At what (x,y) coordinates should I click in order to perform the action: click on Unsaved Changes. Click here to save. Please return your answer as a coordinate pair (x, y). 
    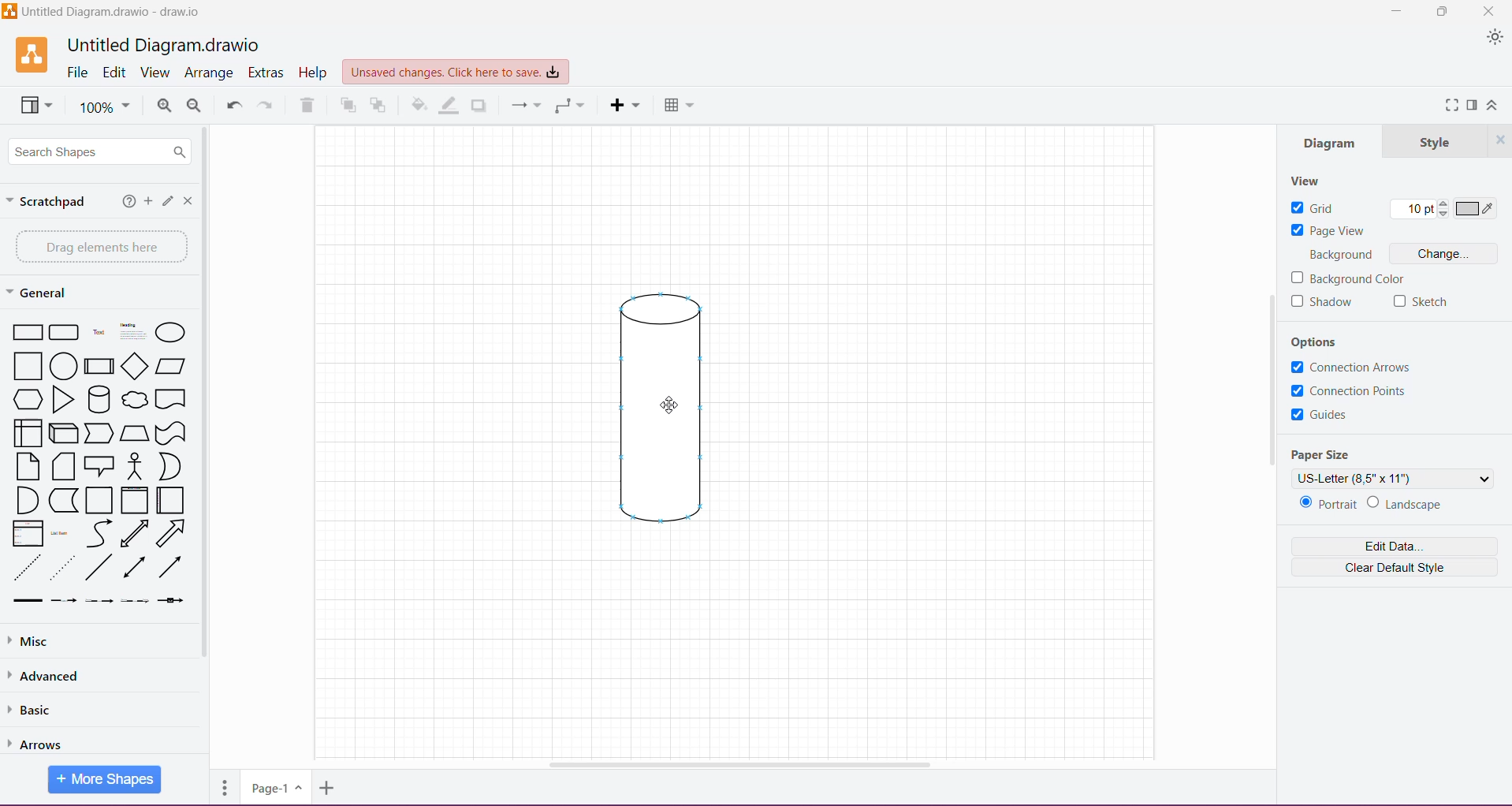
    Looking at the image, I should click on (453, 70).